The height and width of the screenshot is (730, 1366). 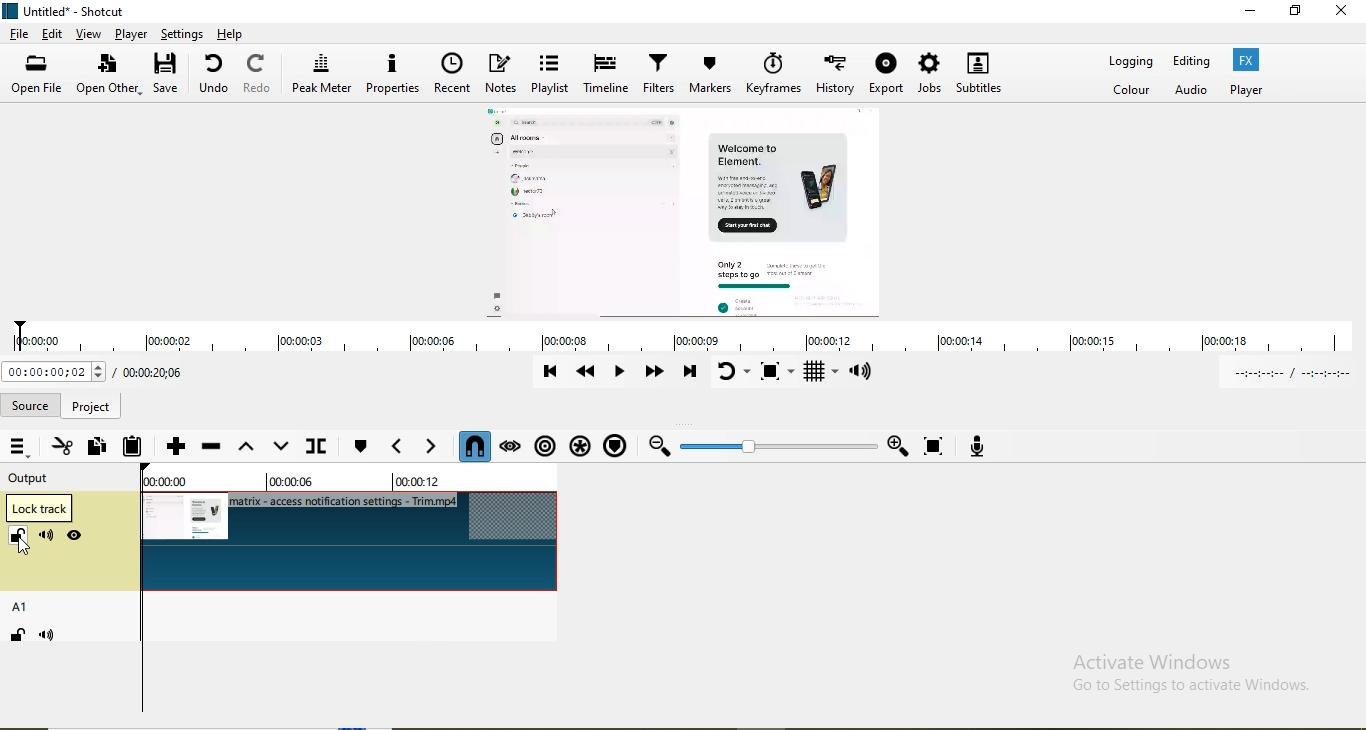 What do you see at coordinates (94, 405) in the screenshot?
I see `project` at bounding box center [94, 405].